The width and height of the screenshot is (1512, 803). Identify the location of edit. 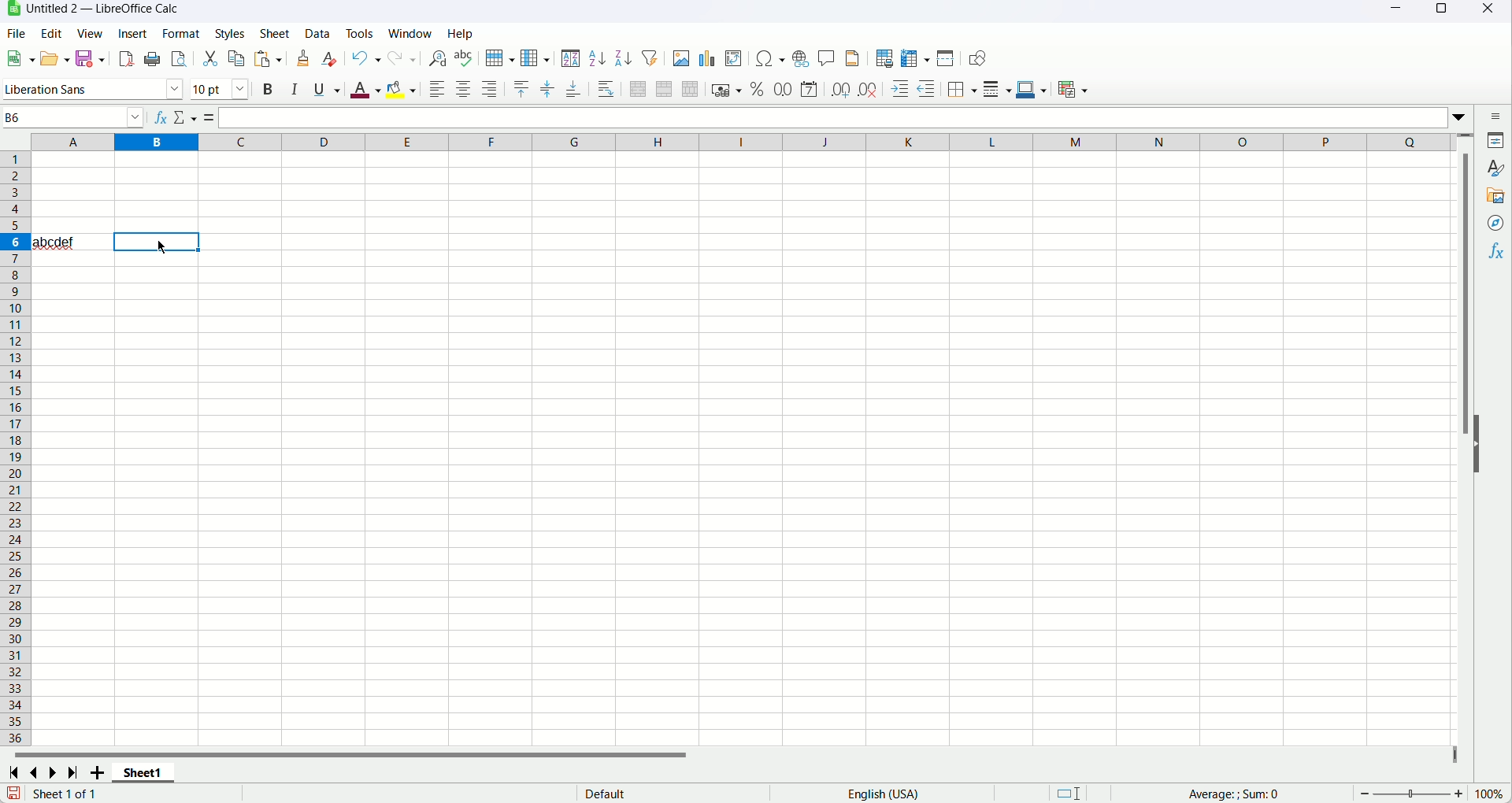
(50, 34).